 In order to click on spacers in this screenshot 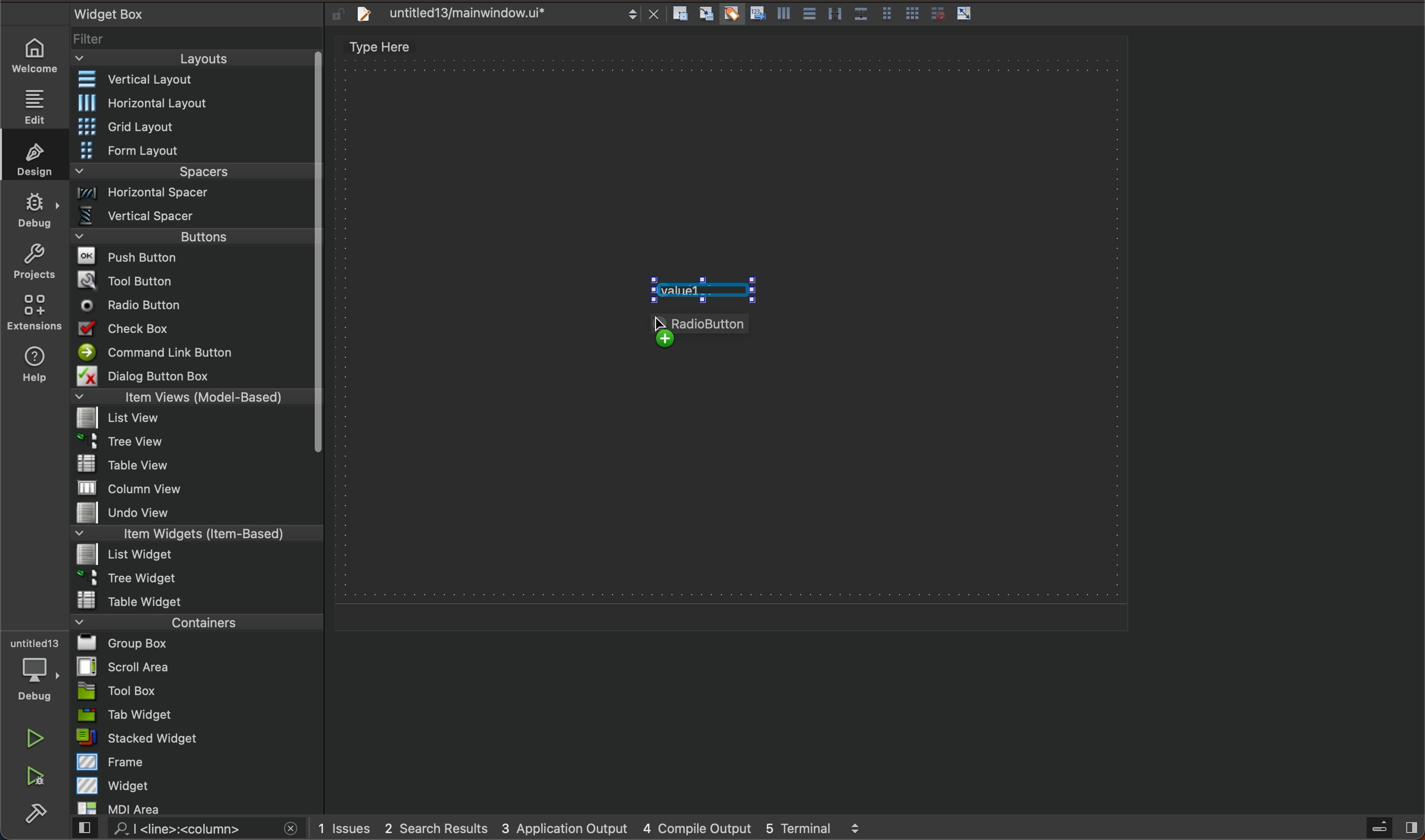, I will do `click(194, 175)`.